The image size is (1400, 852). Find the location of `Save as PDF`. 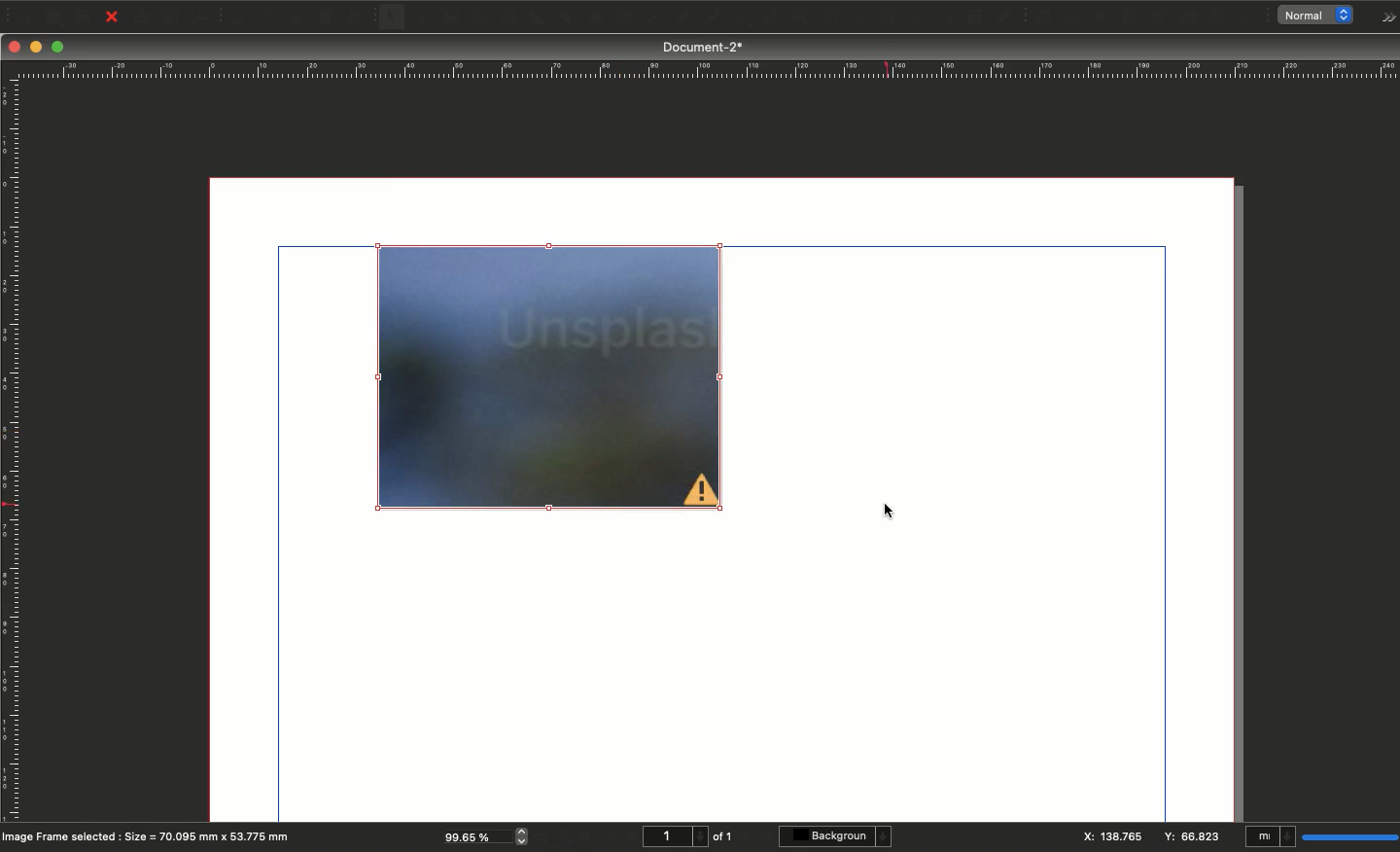

Save as PDF is located at coordinates (202, 17).